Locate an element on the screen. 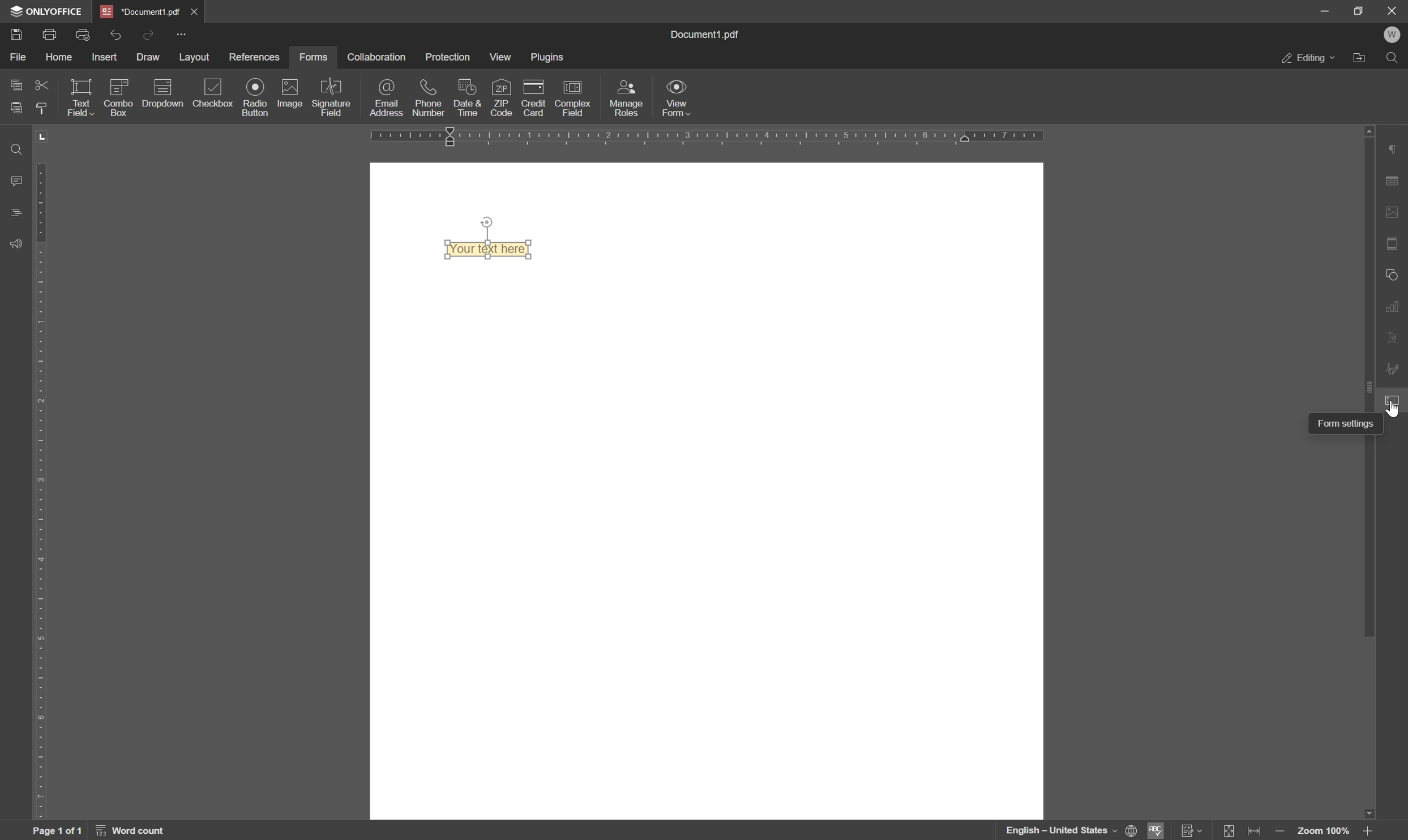 Image resolution: width=1408 pixels, height=840 pixels. fit to width is located at coordinates (1257, 831).